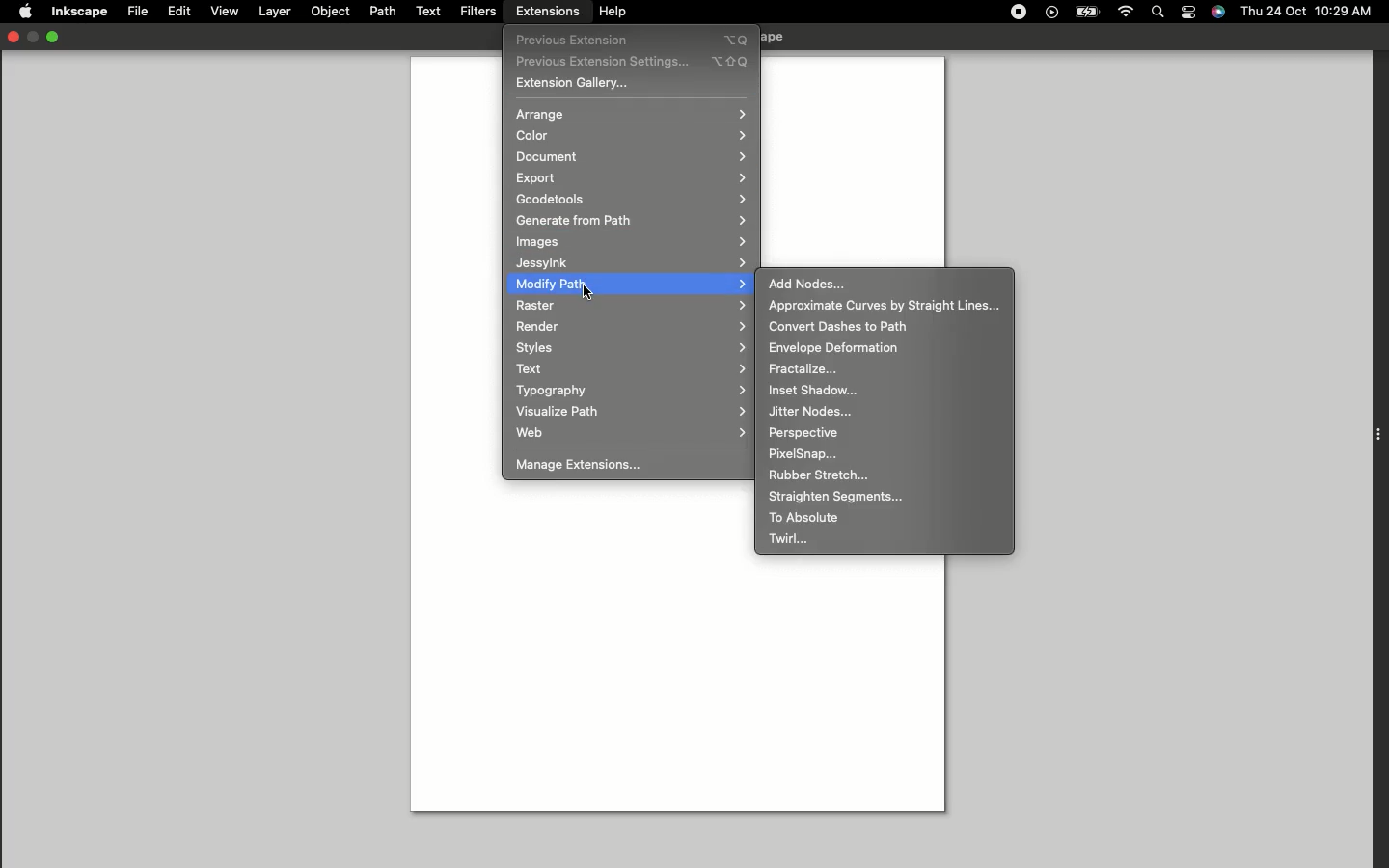 This screenshot has height=868, width=1389. I want to click on Raster, so click(630, 307).